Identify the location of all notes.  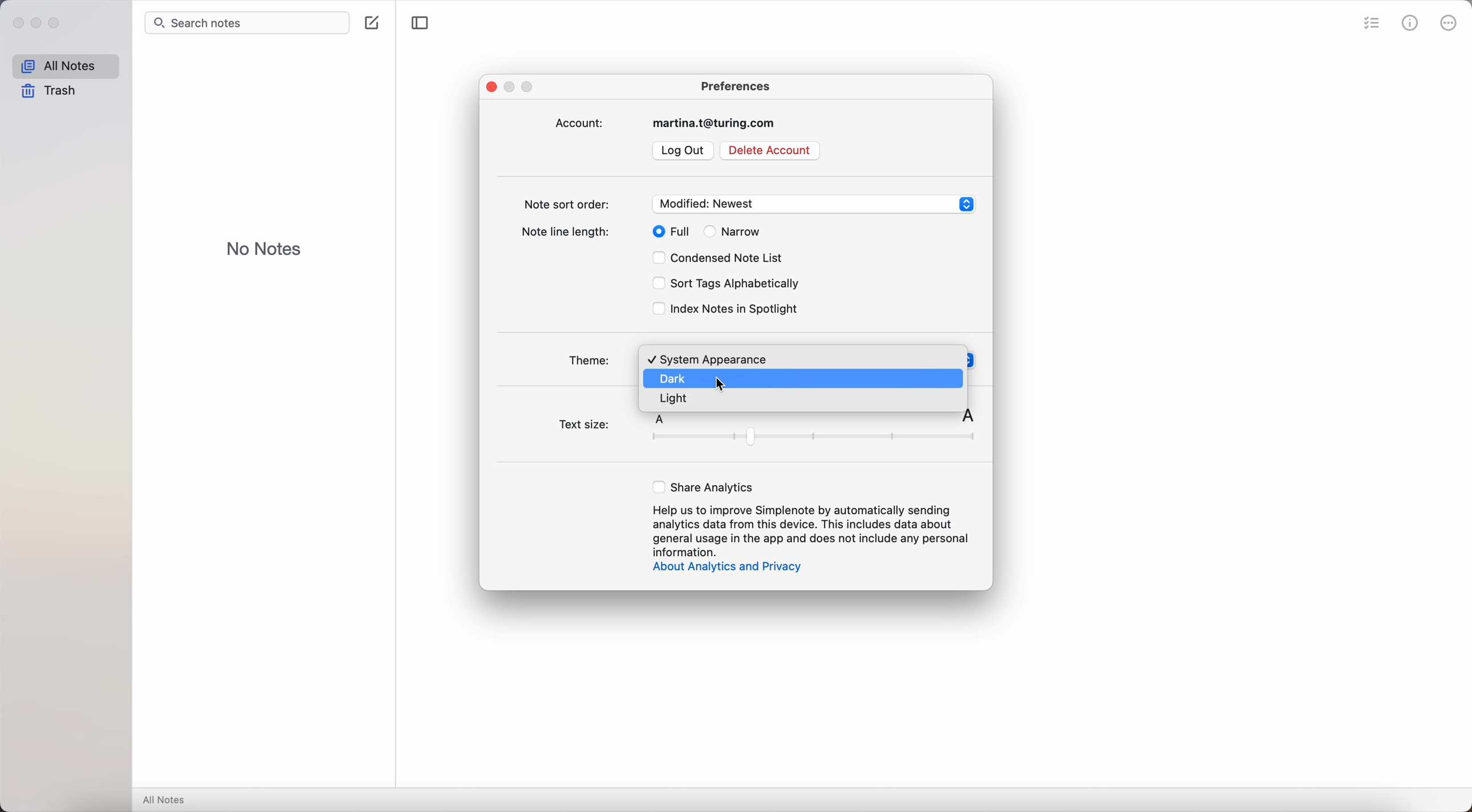
(66, 65).